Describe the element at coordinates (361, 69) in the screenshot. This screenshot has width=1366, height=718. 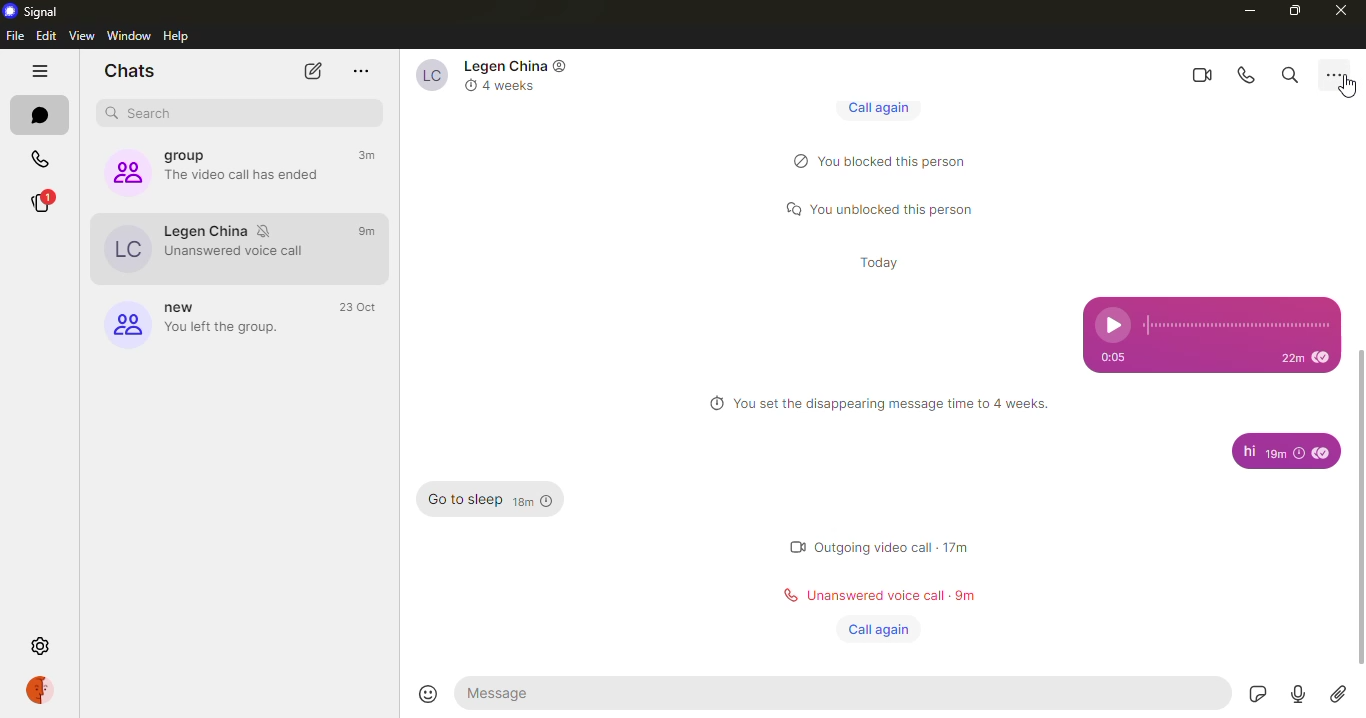
I see `more` at that location.